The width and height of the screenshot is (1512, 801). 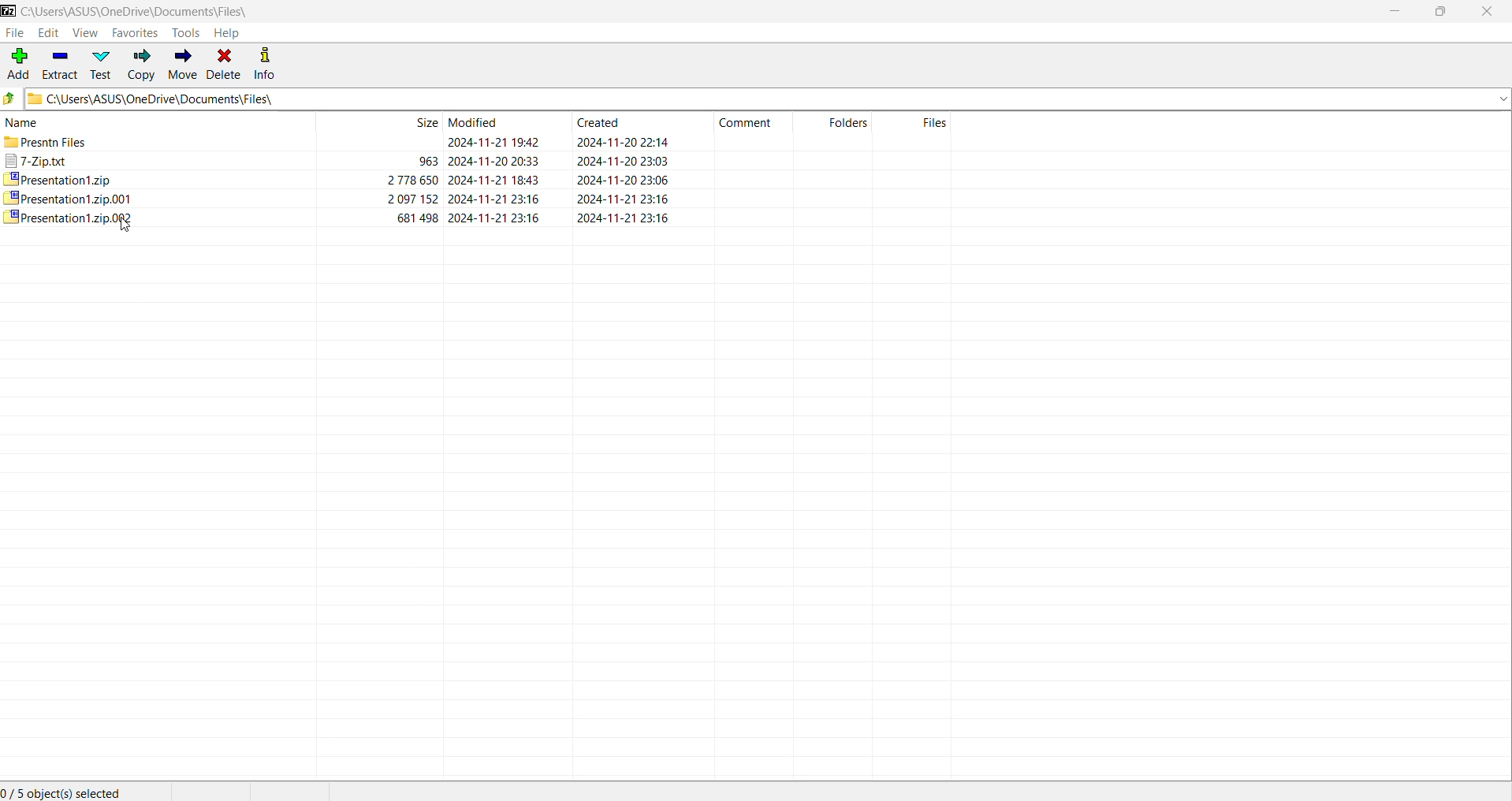 What do you see at coordinates (158, 124) in the screenshot?
I see `Name` at bounding box center [158, 124].